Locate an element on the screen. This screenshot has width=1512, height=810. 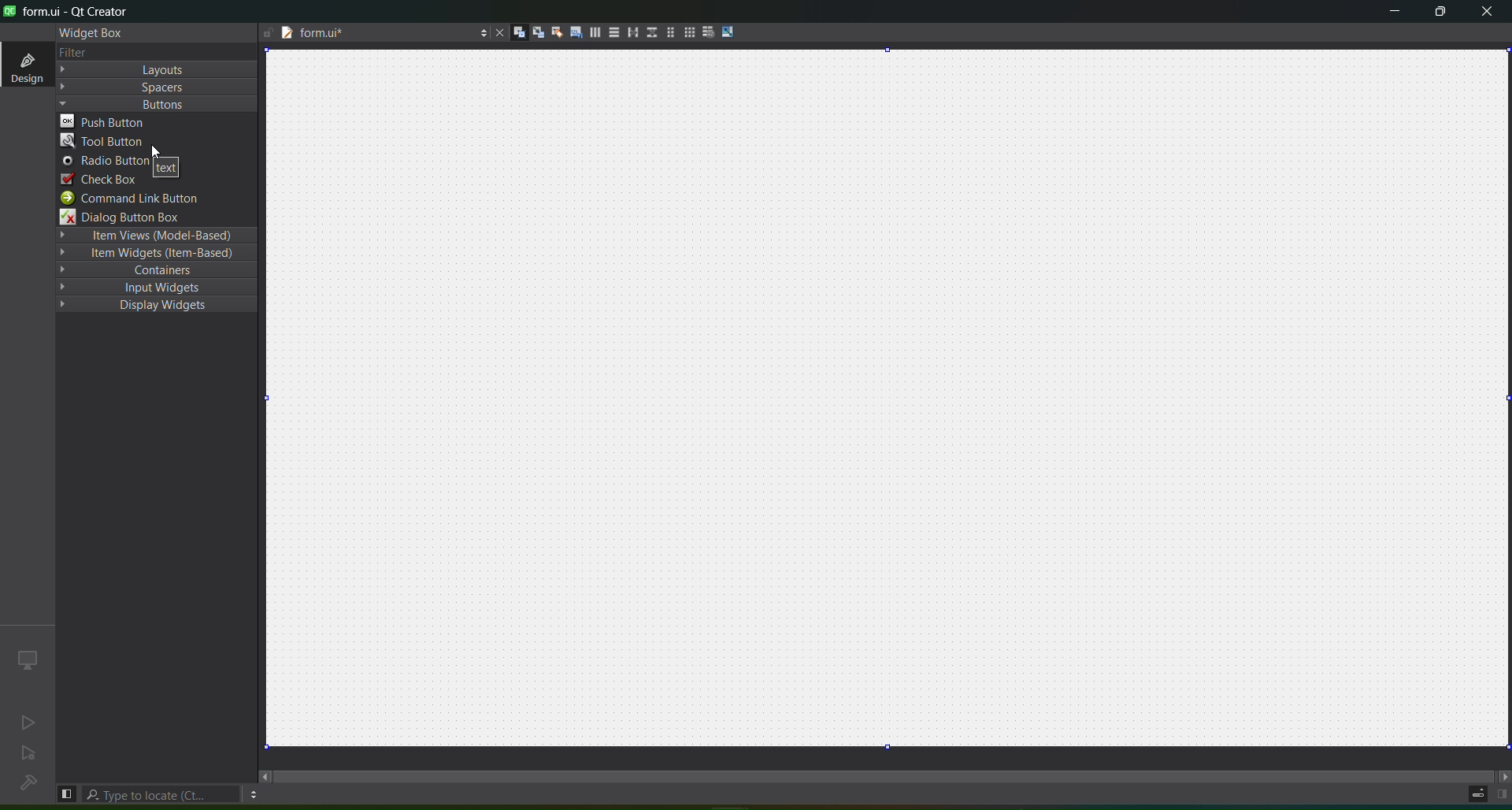
edit tab order is located at coordinates (573, 33).